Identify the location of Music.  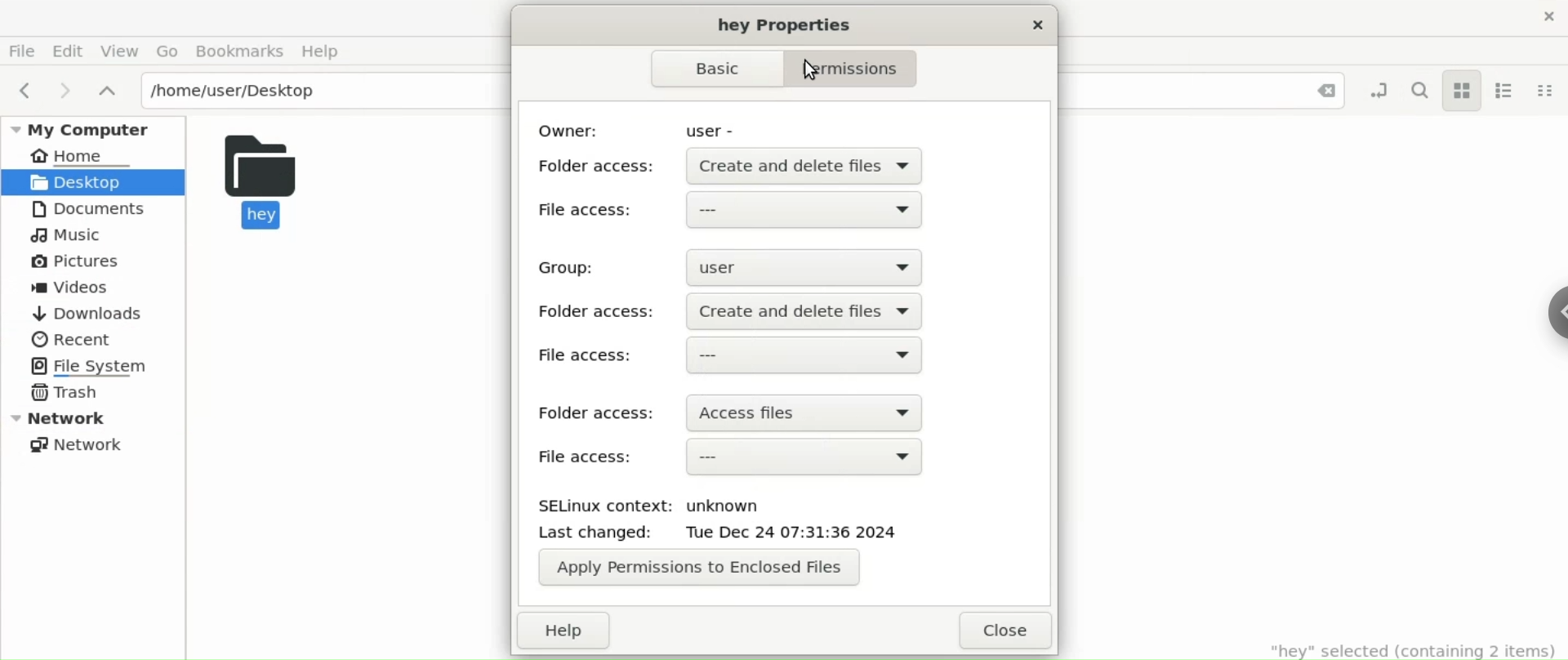
(70, 234).